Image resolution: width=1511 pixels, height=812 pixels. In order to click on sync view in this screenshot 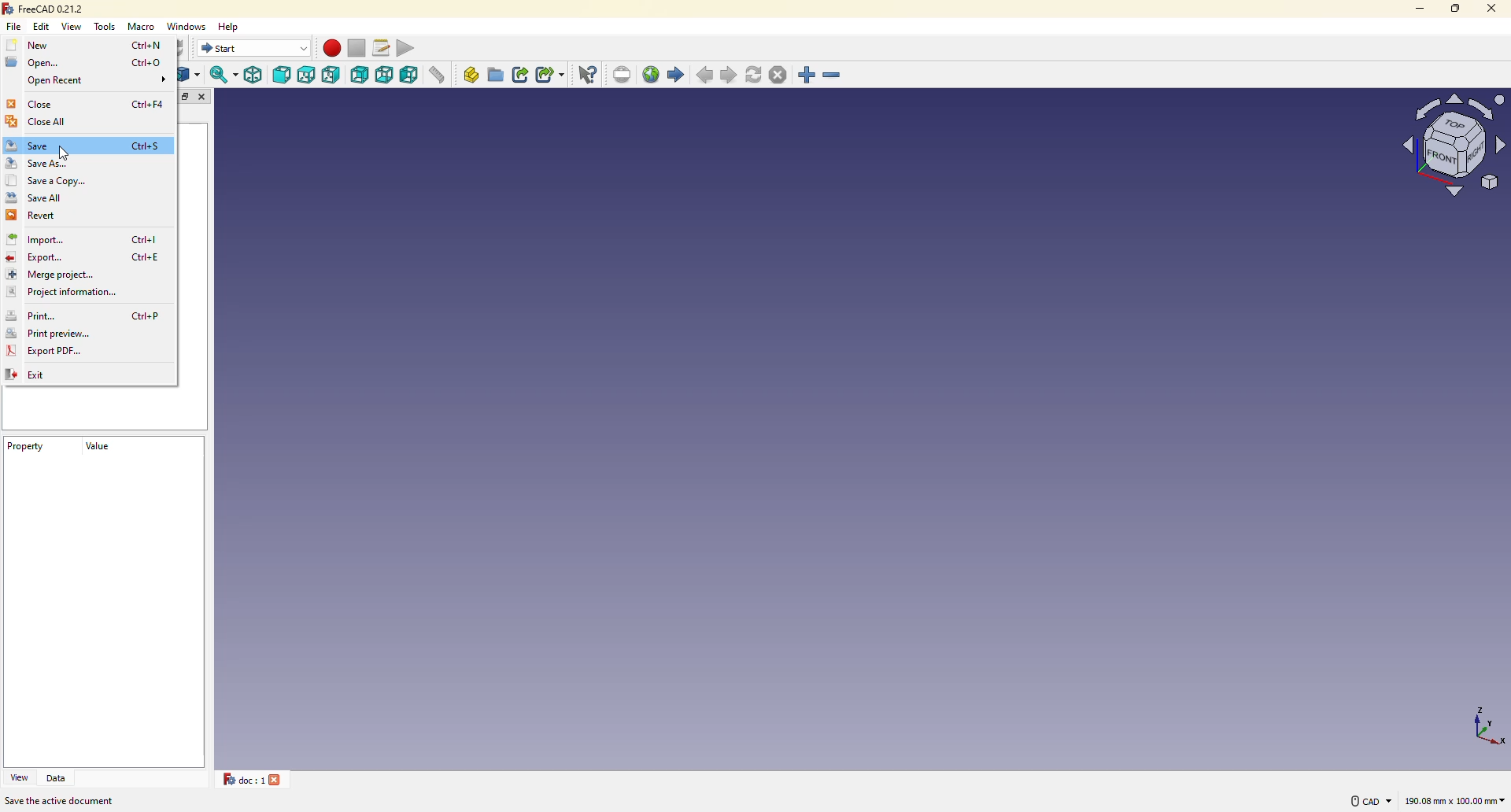, I will do `click(222, 75)`.